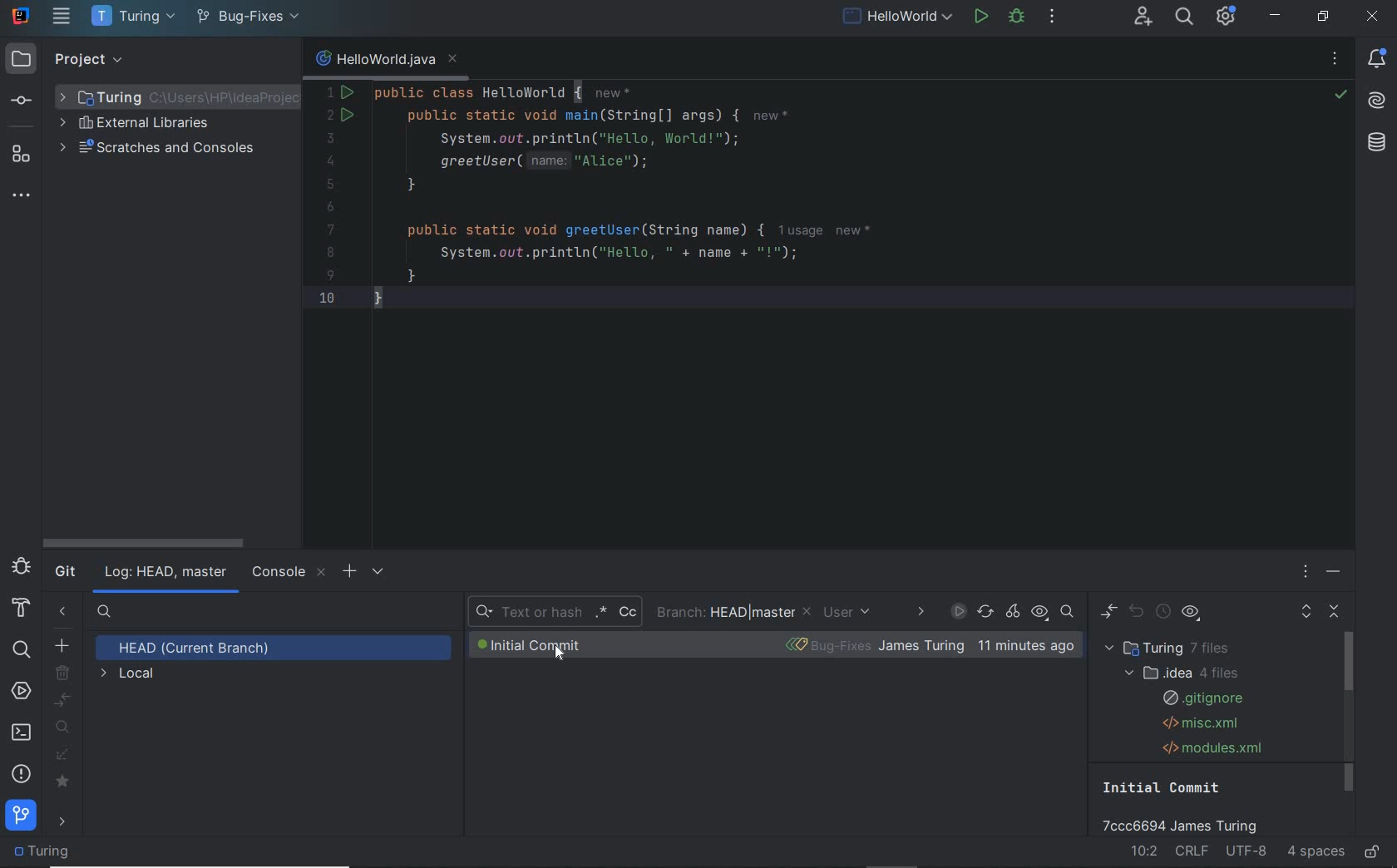 This screenshot has height=868, width=1397. I want to click on search, so click(20, 648).